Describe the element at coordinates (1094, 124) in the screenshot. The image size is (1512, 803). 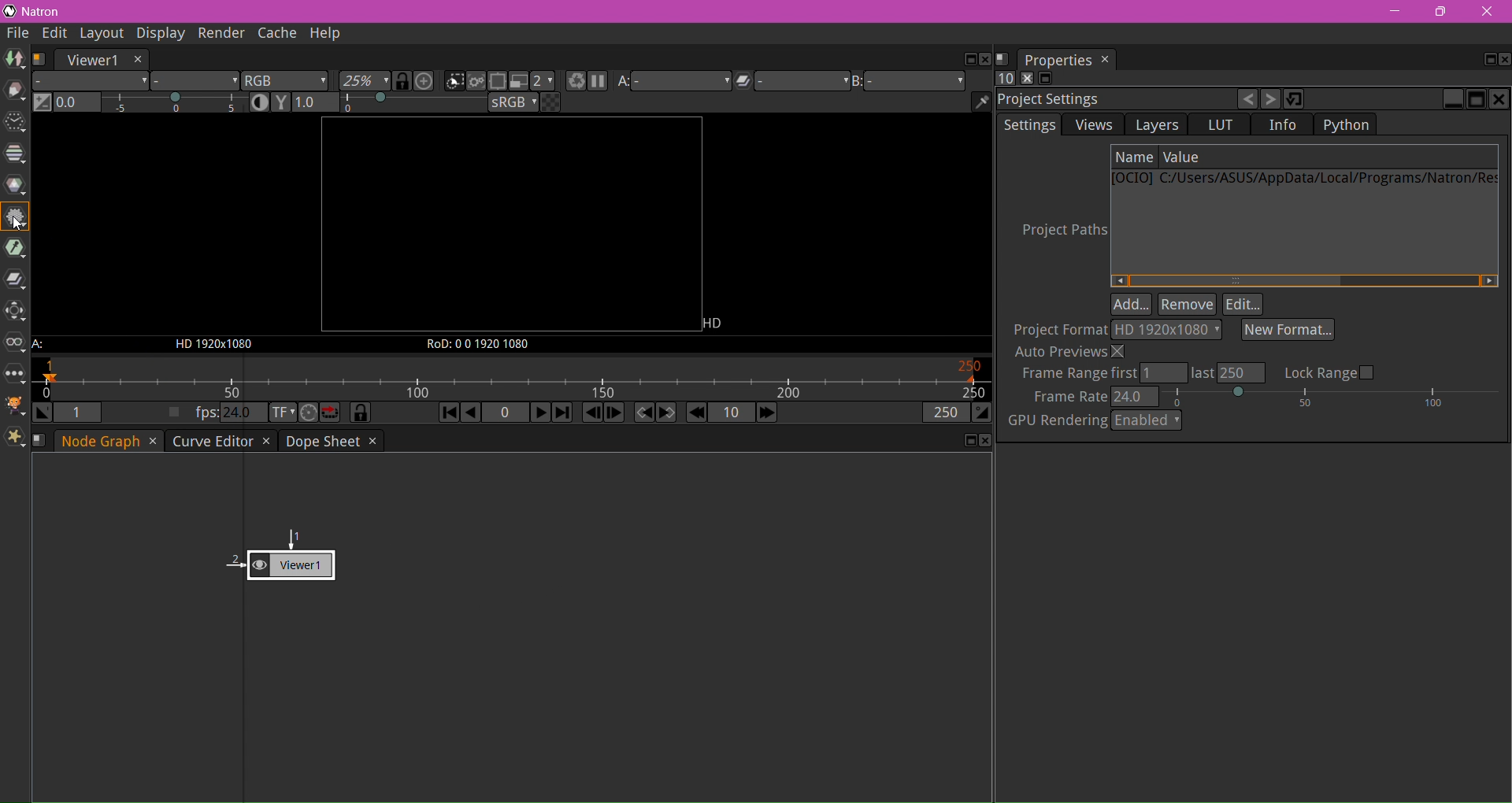
I see `Views` at that location.